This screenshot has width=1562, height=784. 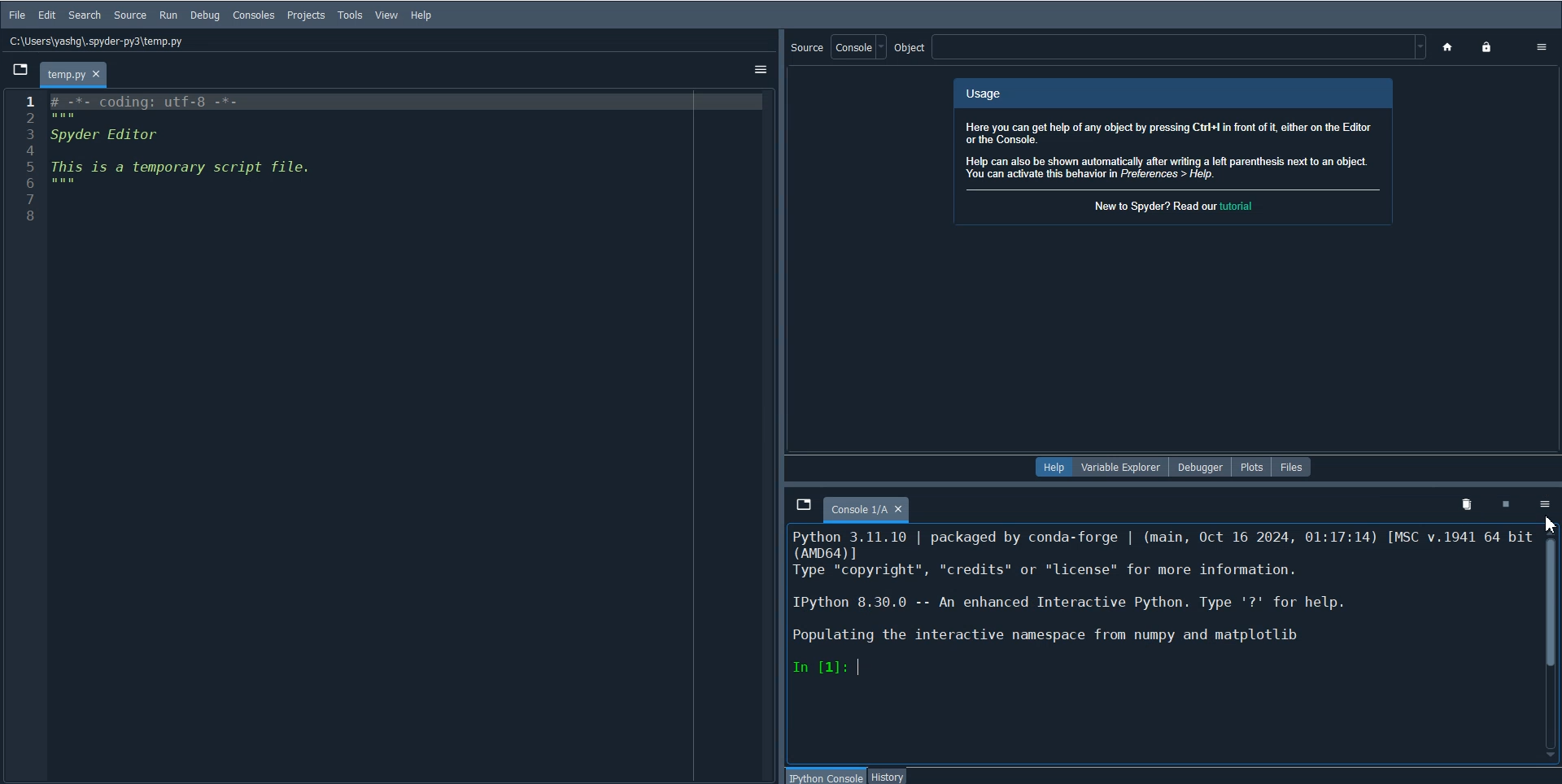 What do you see at coordinates (1450, 48) in the screenshot?
I see `Home` at bounding box center [1450, 48].